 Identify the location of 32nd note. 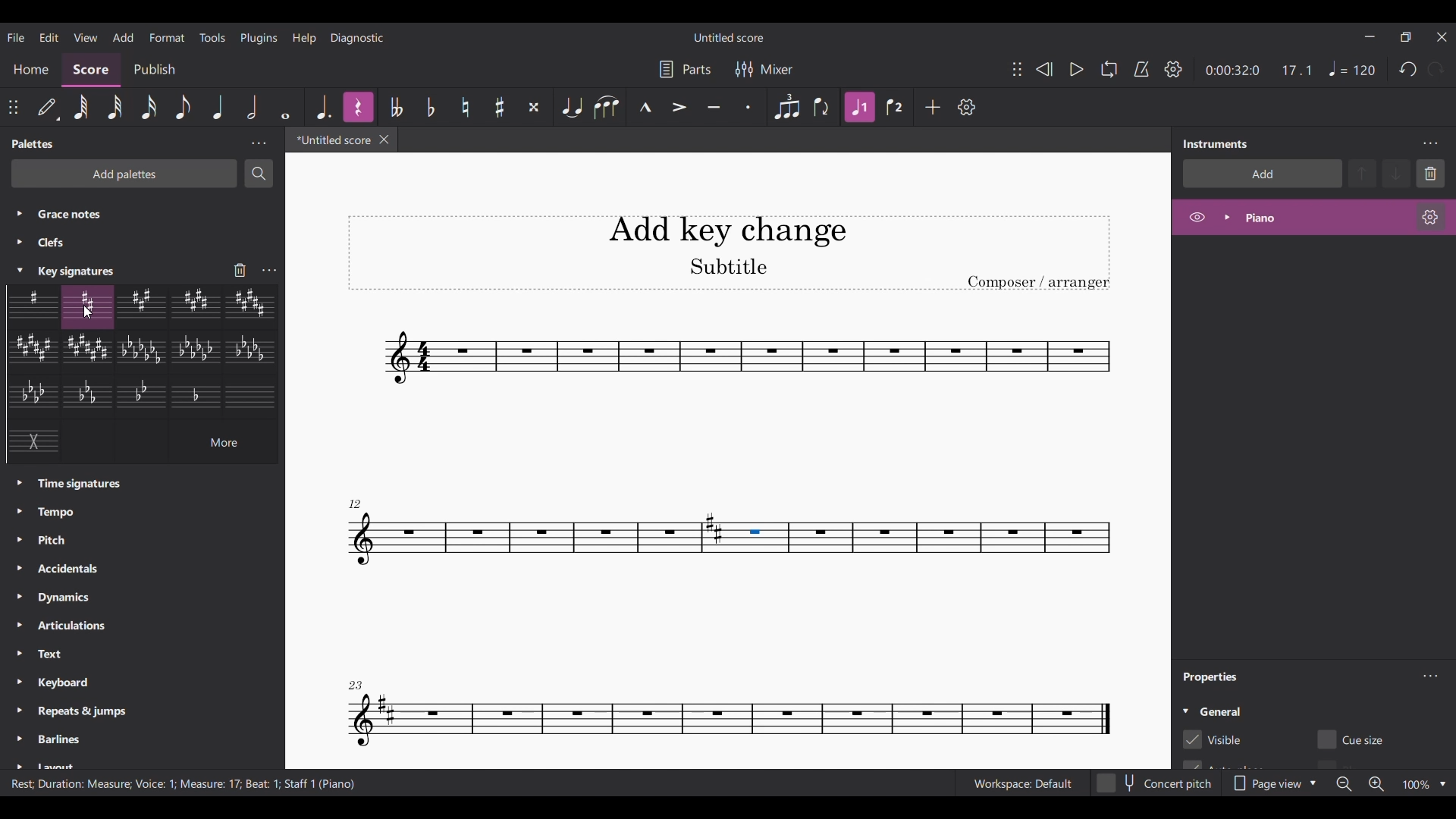
(115, 107).